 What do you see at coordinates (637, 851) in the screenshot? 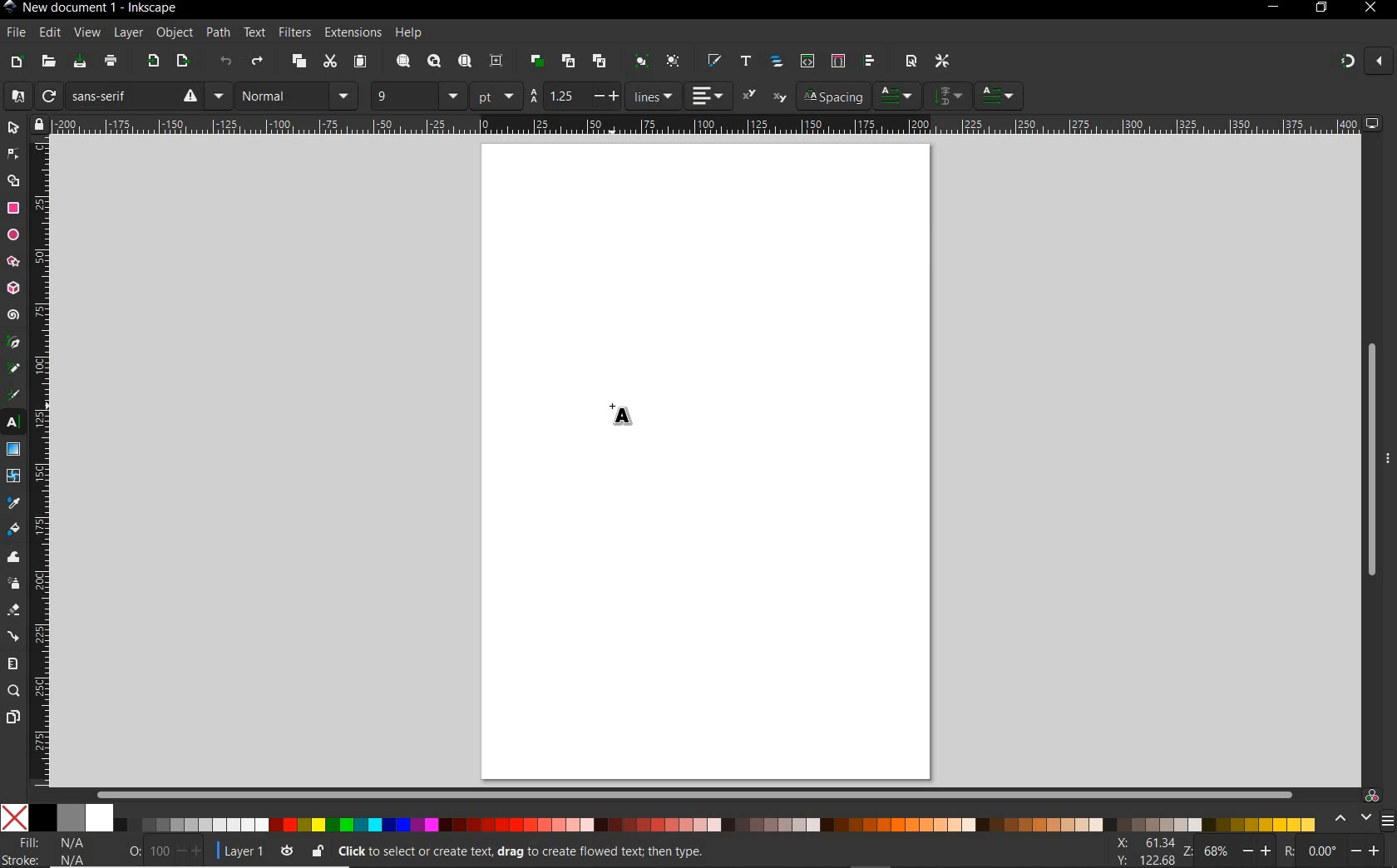
I see `no object selected` at bounding box center [637, 851].